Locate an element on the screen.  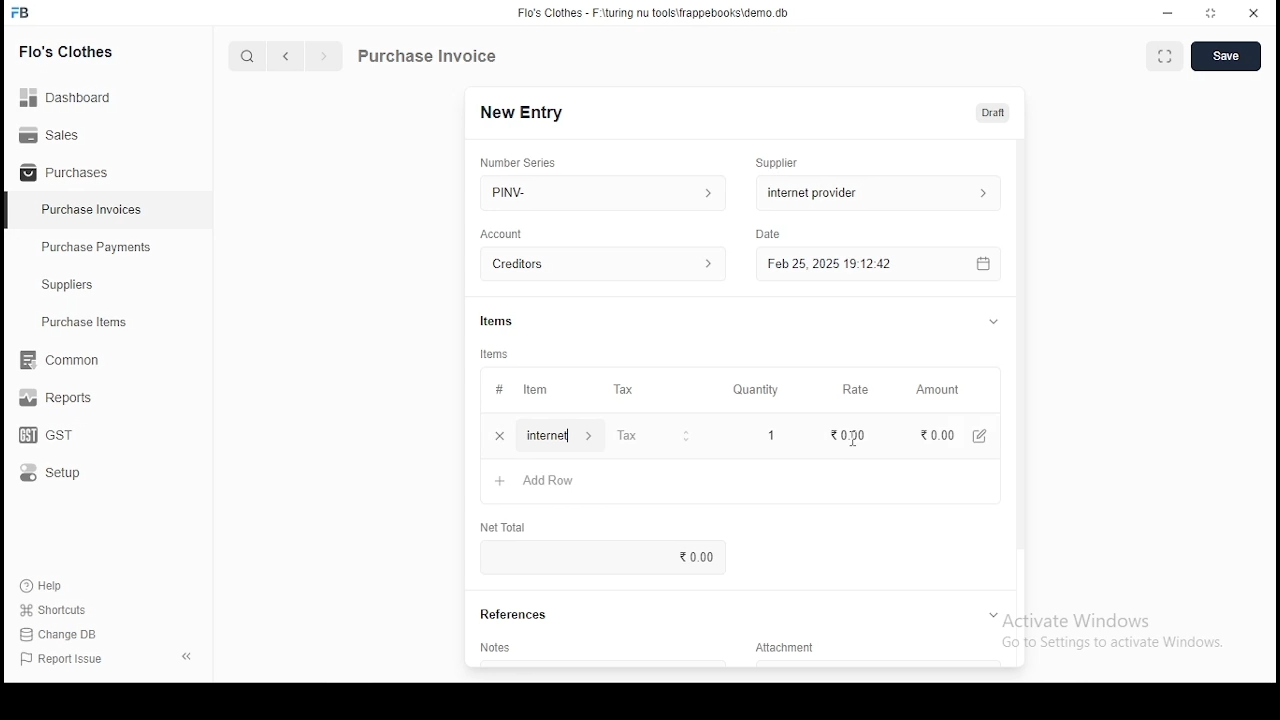
item is located at coordinates (534, 391).